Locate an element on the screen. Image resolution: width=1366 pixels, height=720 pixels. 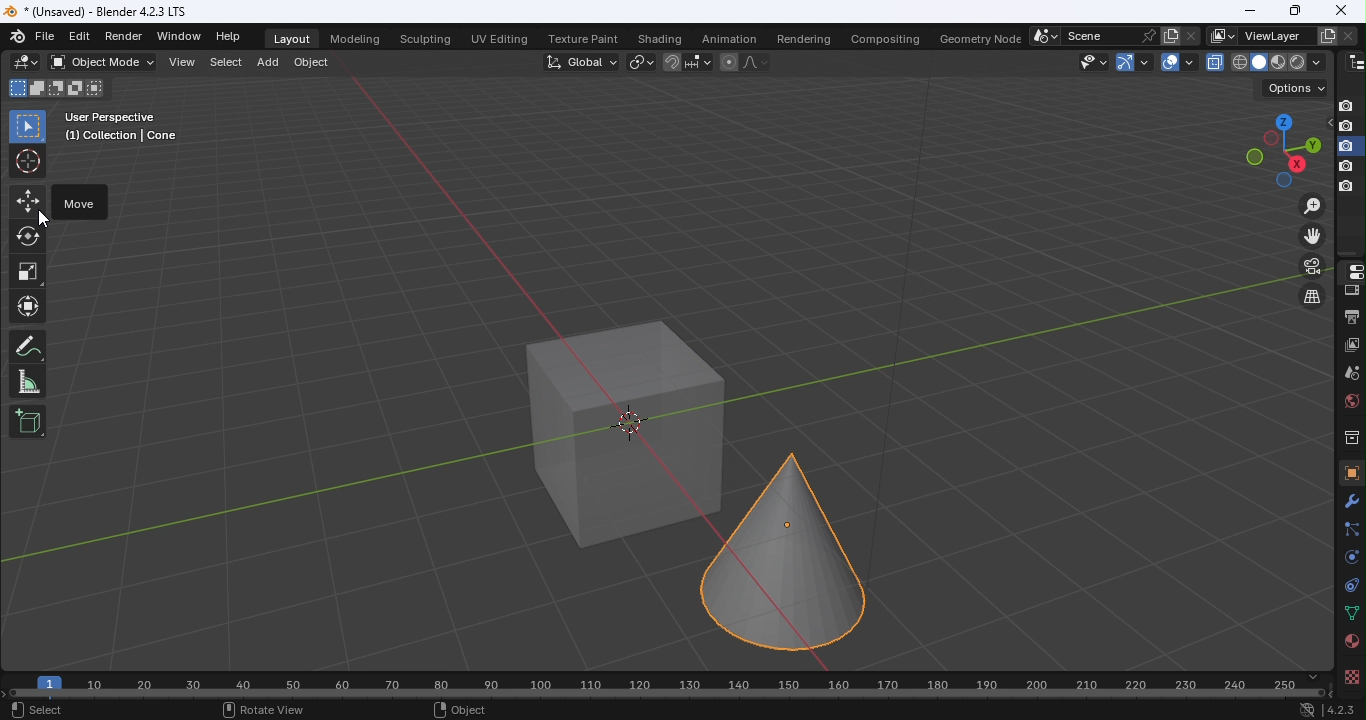
Scene is located at coordinates (1351, 372).